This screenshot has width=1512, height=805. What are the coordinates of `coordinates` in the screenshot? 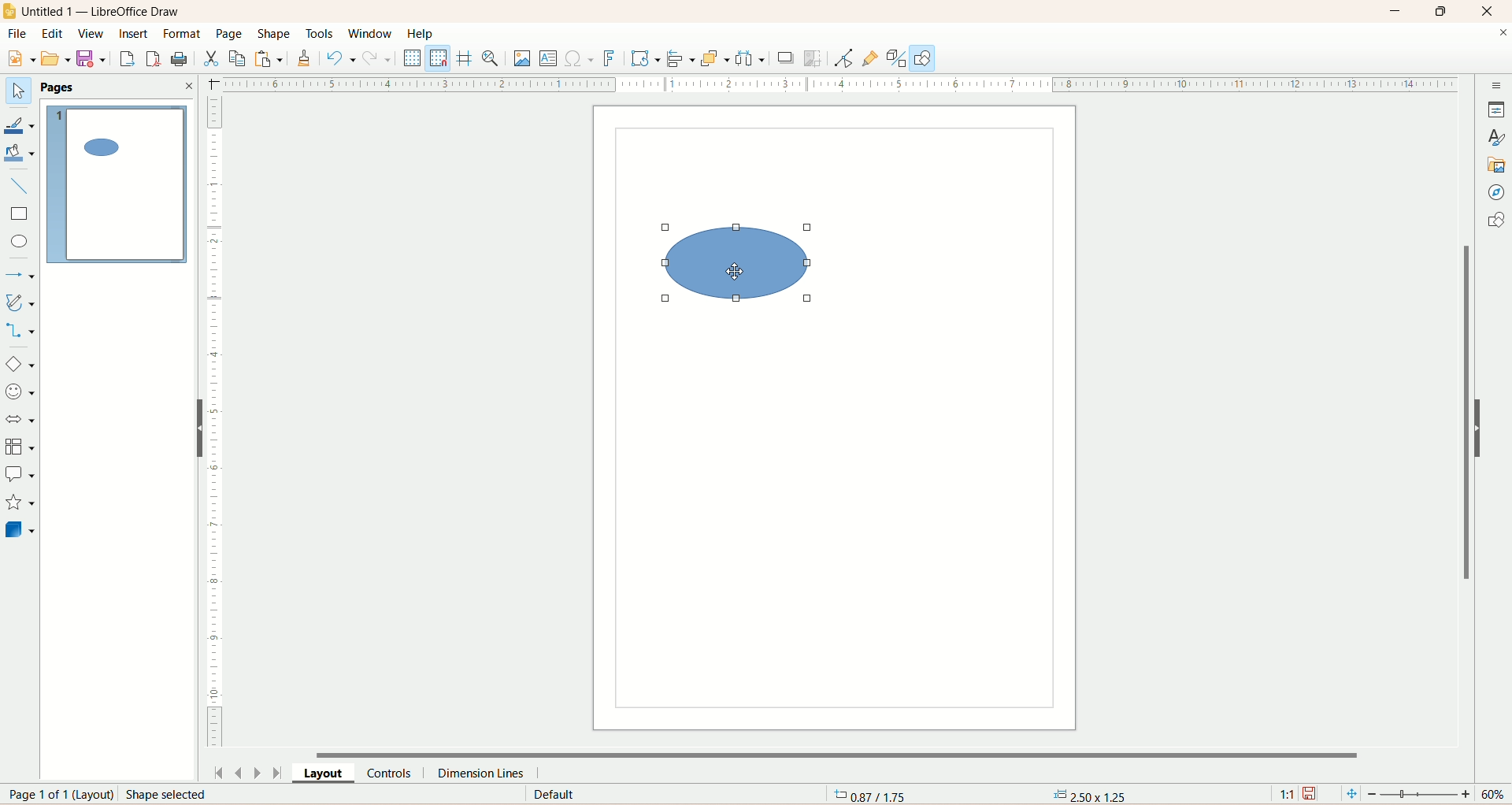 It's located at (876, 796).